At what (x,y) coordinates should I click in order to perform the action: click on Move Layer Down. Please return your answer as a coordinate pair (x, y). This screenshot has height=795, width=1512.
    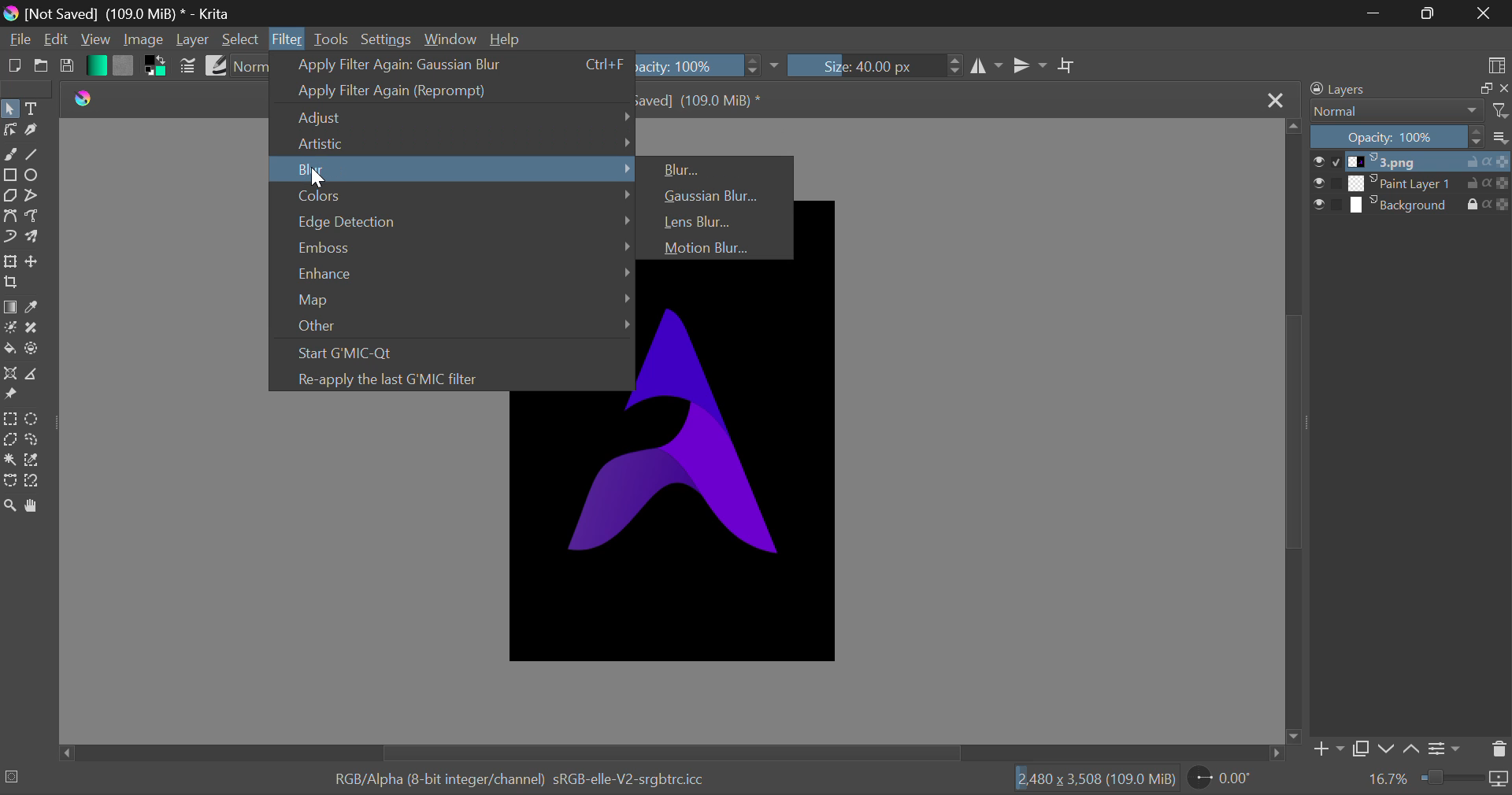
    Looking at the image, I should click on (1386, 749).